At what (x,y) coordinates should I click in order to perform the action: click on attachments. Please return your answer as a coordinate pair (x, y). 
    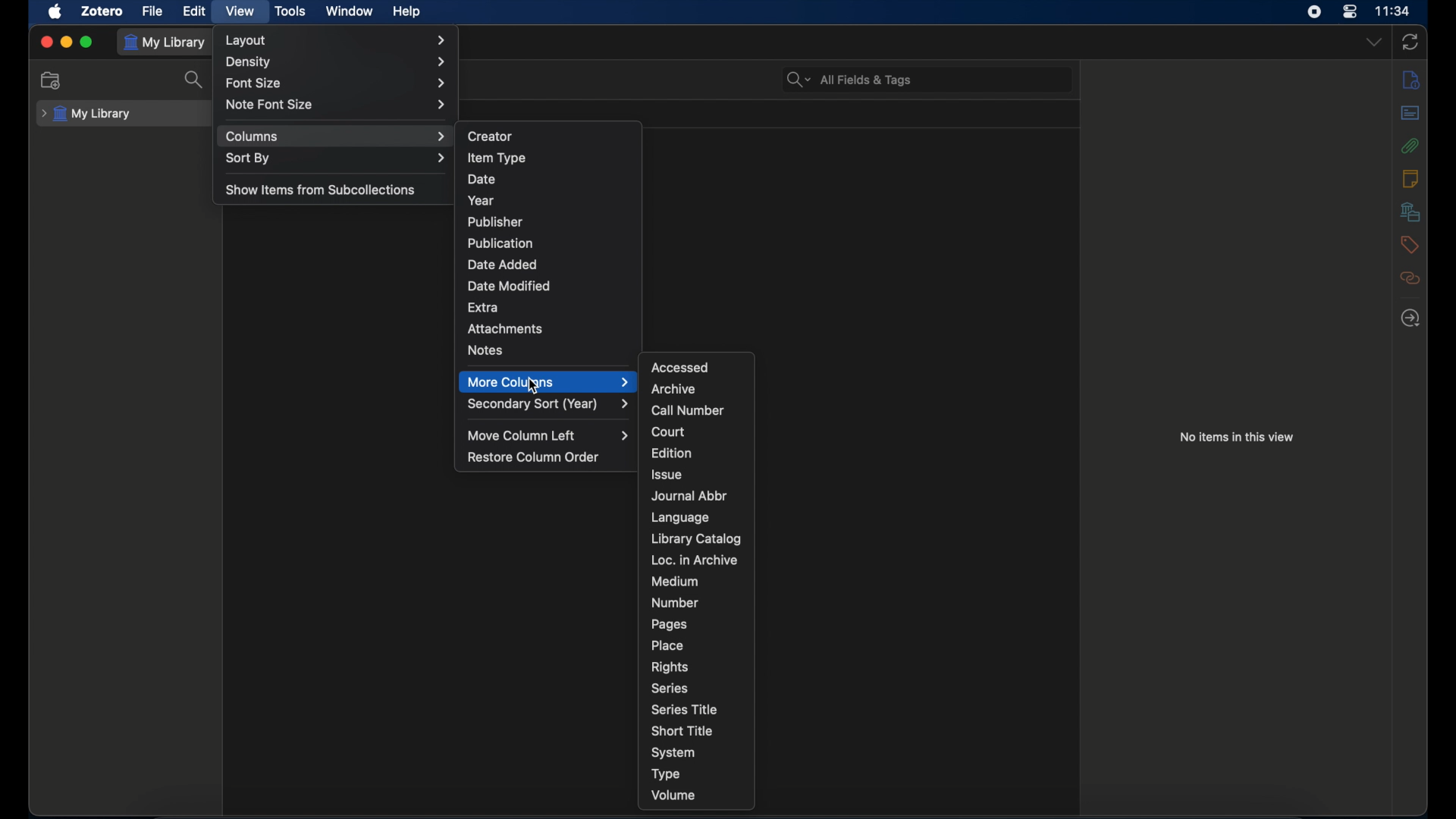
    Looking at the image, I should click on (1410, 146).